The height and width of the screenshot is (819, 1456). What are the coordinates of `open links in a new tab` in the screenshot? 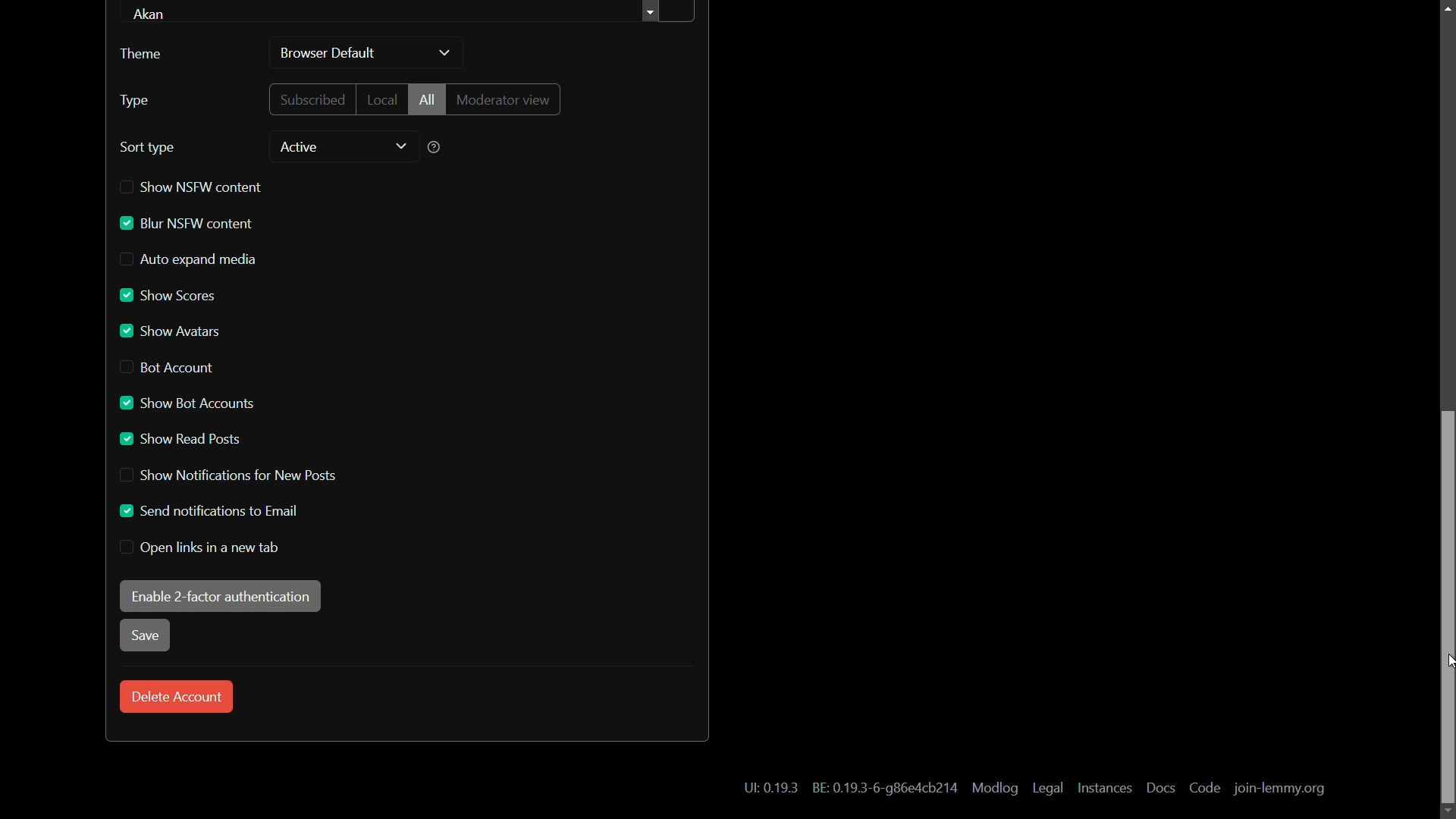 It's located at (202, 548).